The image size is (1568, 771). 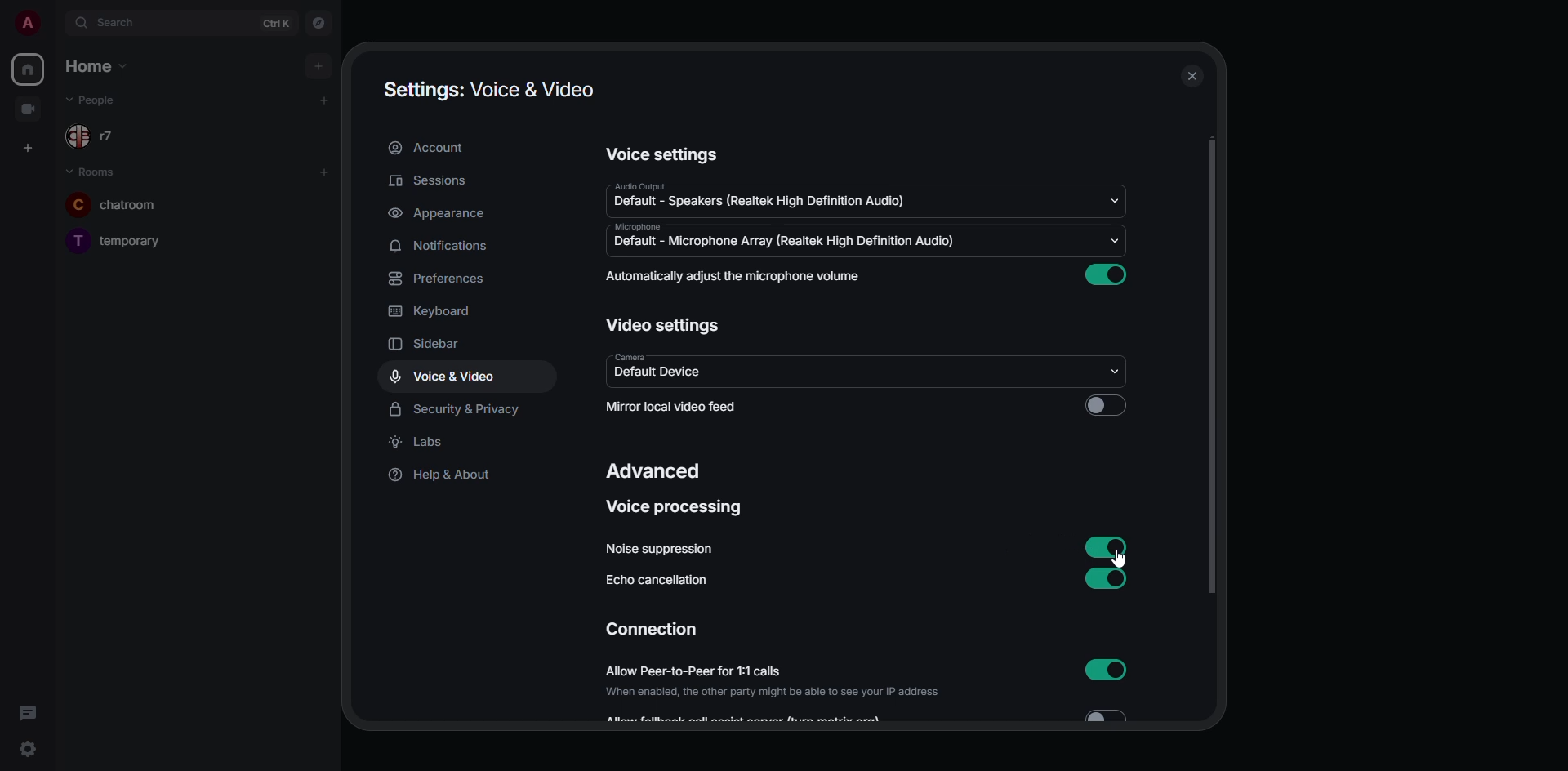 What do you see at coordinates (453, 410) in the screenshot?
I see `security & privacy` at bounding box center [453, 410].